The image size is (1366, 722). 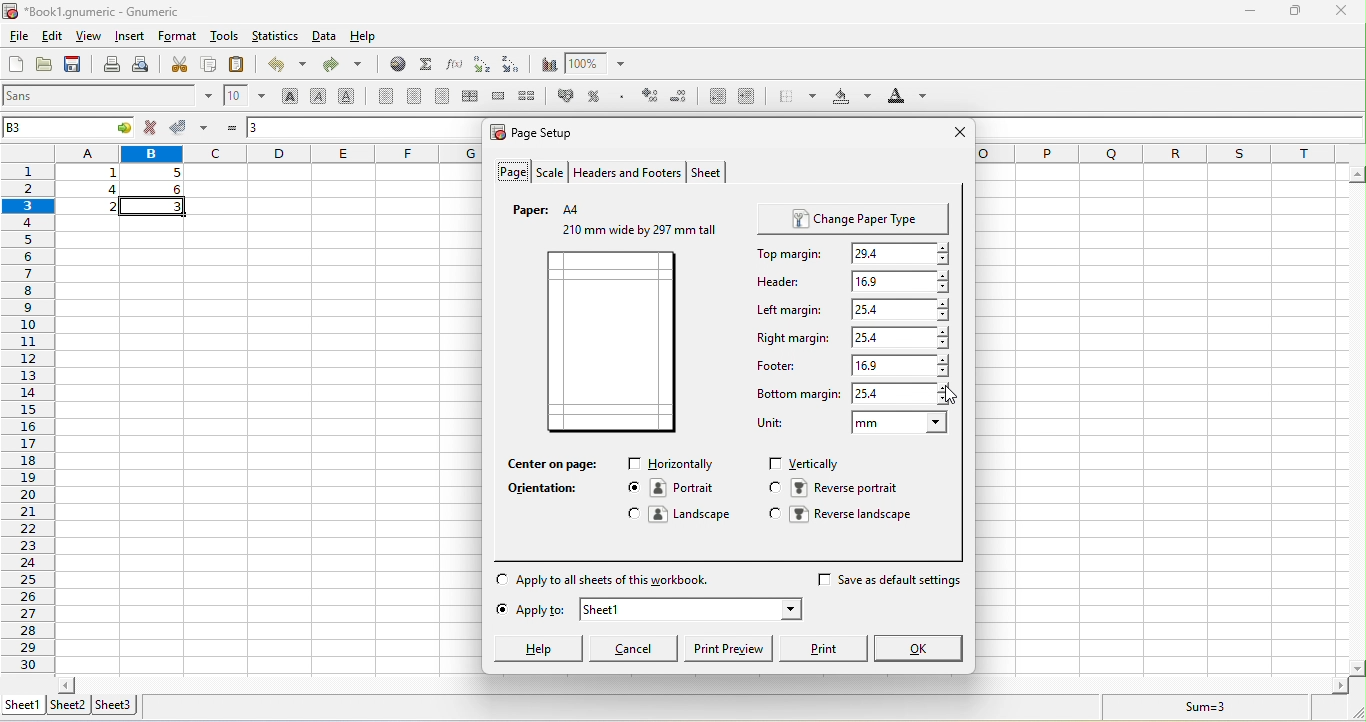 I want to click on reverse landscape, so click(x=853, y=519).